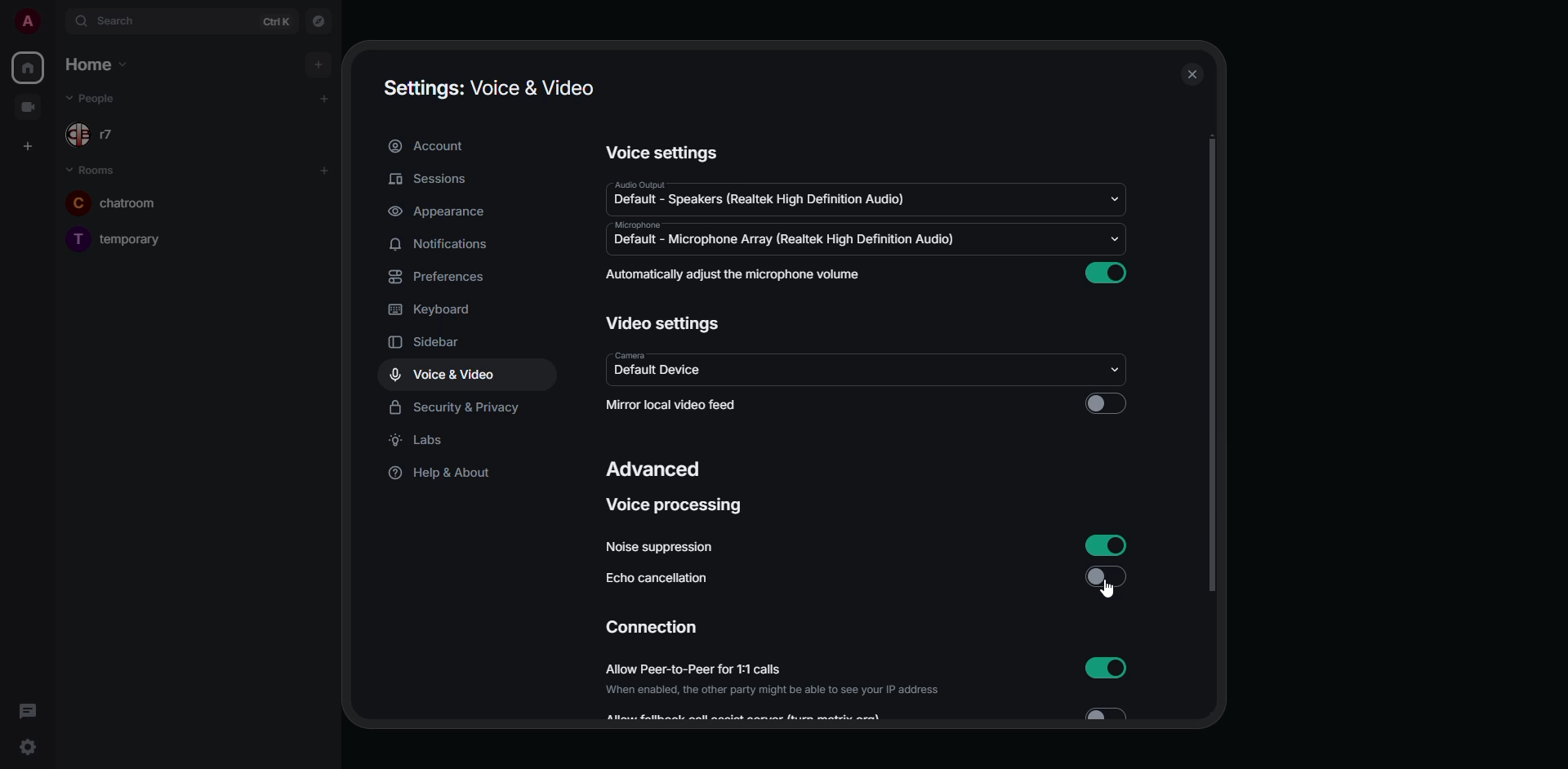 The height and width of the screenshot is (769, 1568). Describe the element at coordinates (278, 21) in the screenshot. I see `ctrl K` at that location.